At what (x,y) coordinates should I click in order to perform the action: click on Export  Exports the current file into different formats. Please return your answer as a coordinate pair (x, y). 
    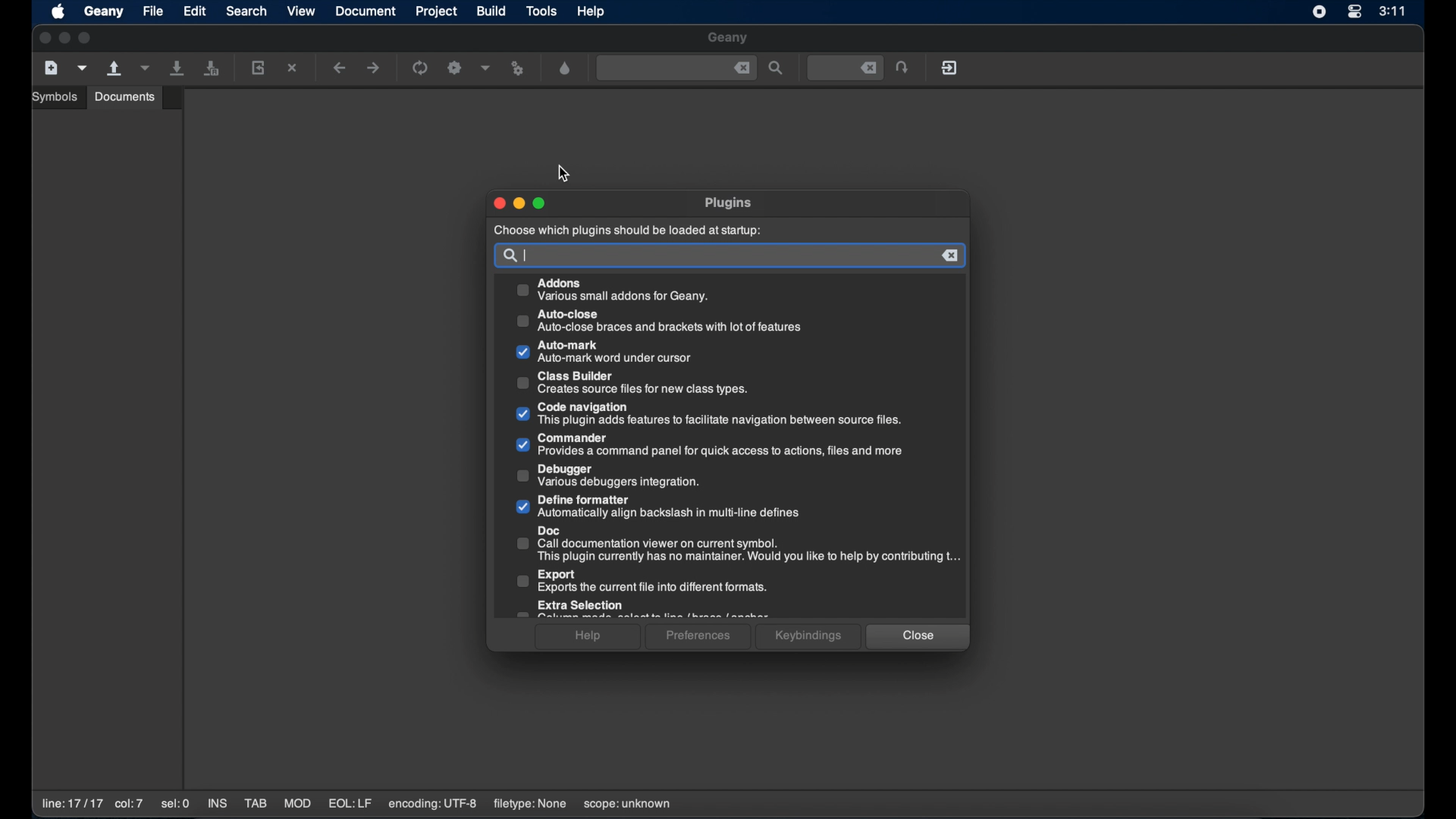
    Looking at the image, I should click on (641, 580).